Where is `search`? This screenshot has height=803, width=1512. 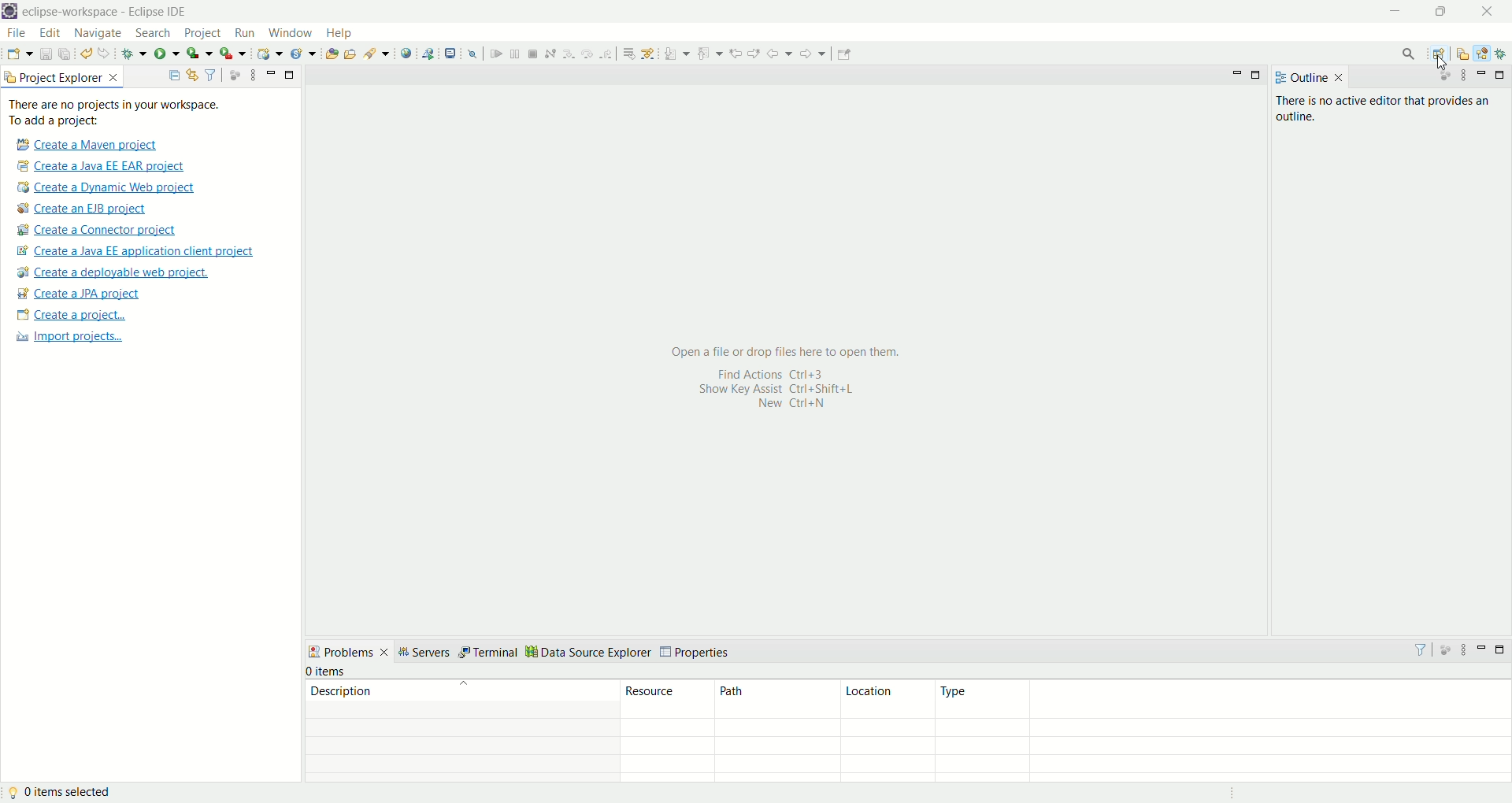 search is located at coordinates (154, 32).